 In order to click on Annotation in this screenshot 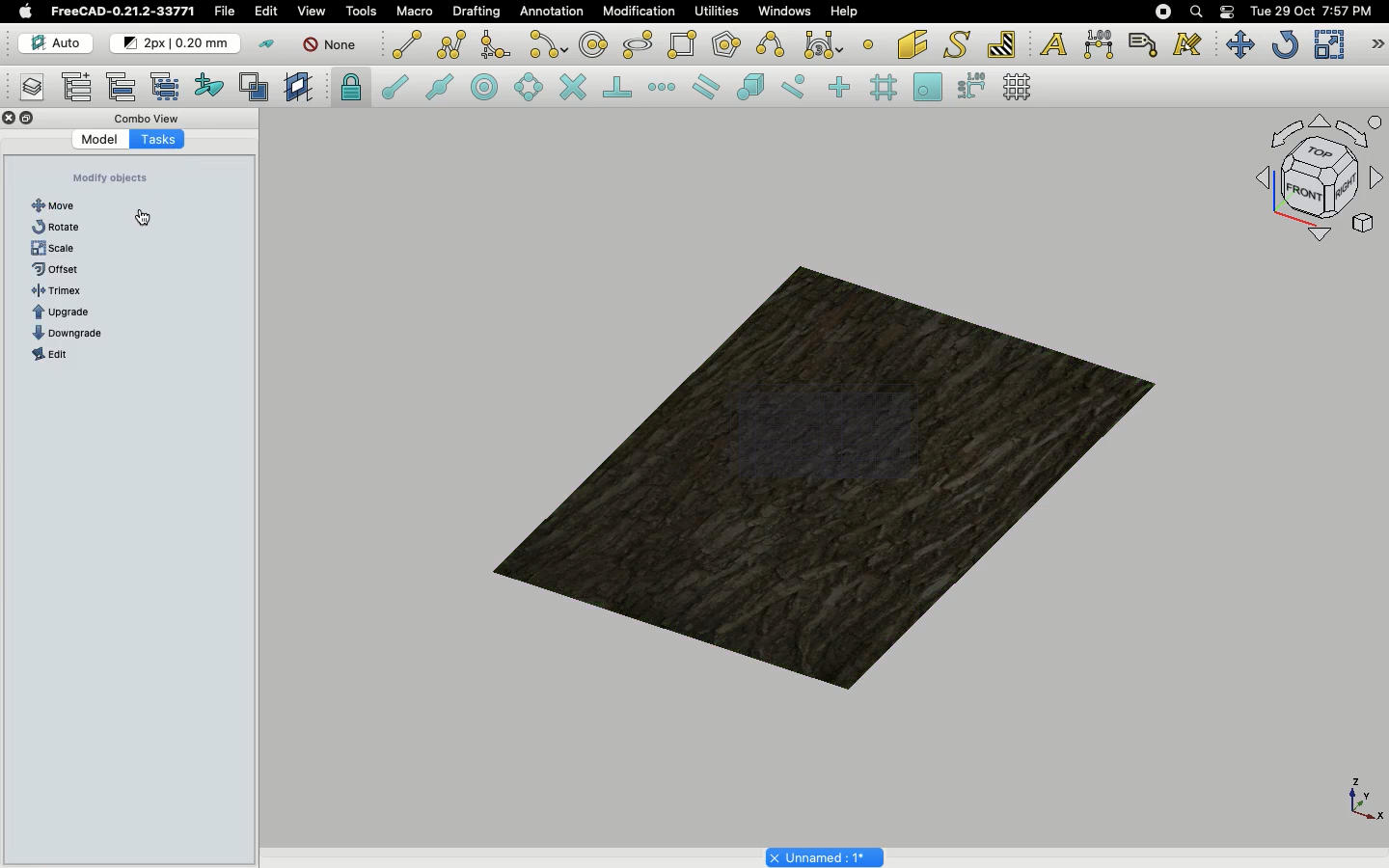, I will do `click(552, 11)`.